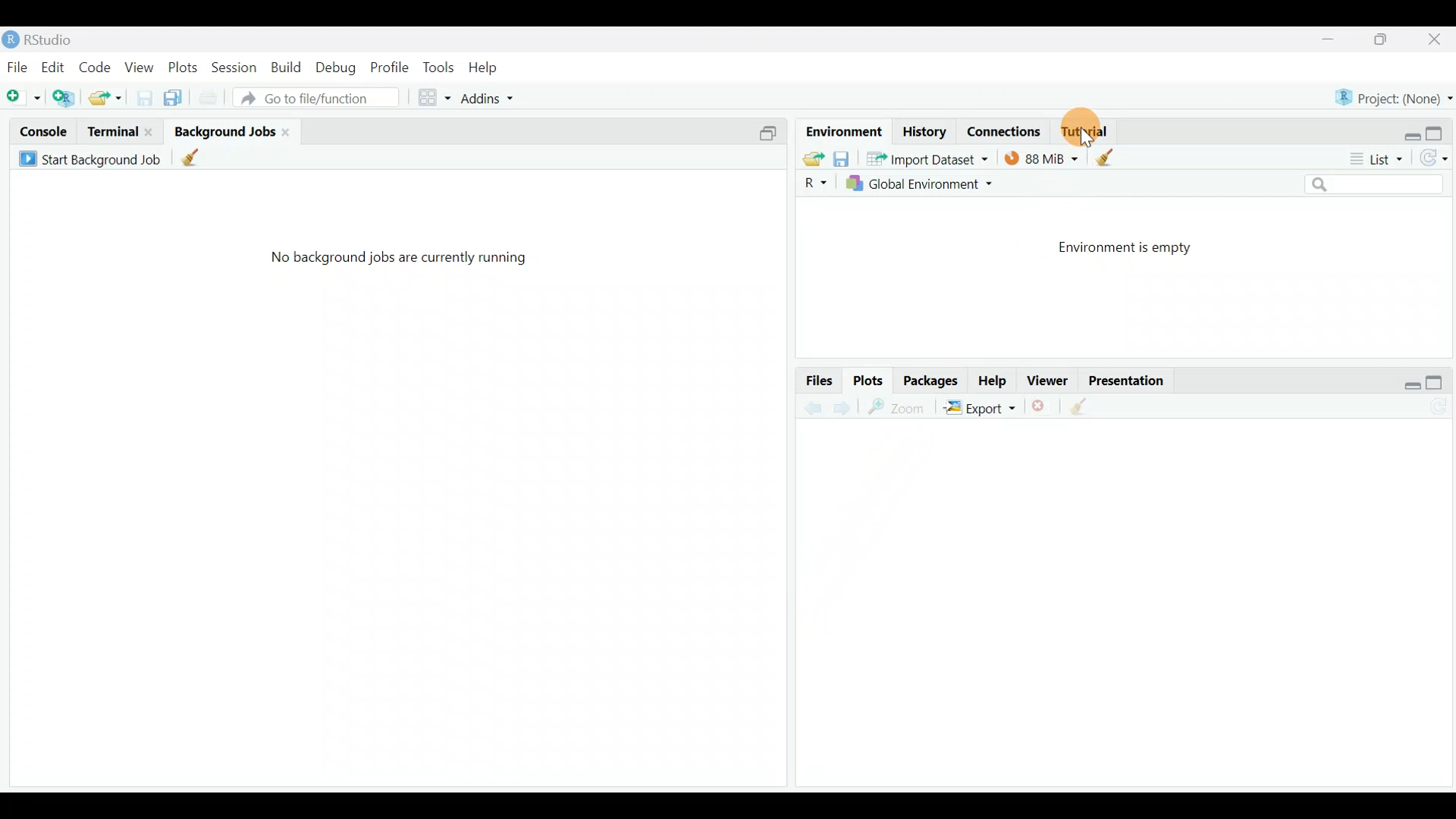 The image size is (1456, 819). Describe the element at coordinates (479, 97) in the screenshot. I see `Addins` at that location.